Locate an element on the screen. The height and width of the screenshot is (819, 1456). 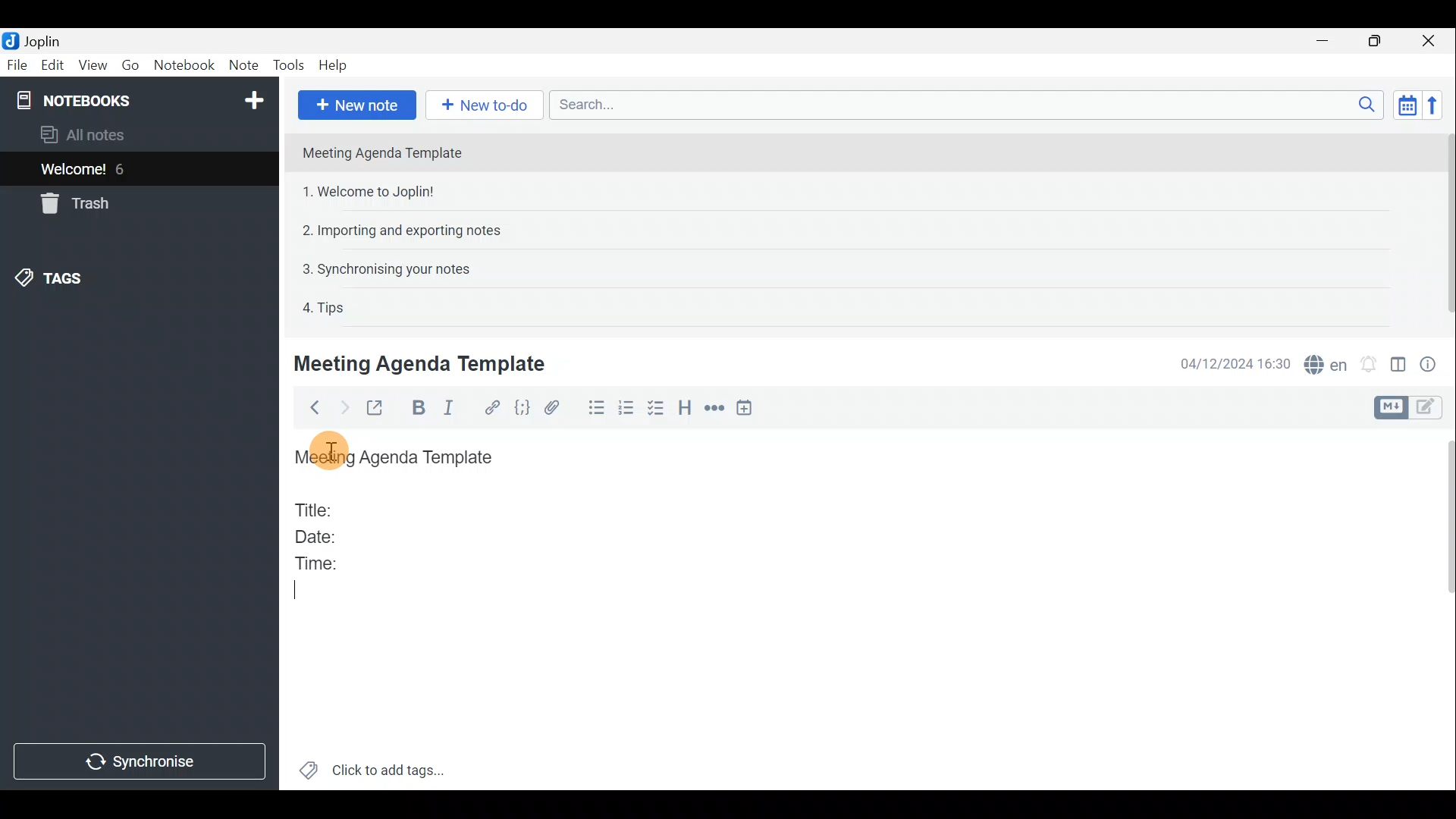
Toggle editors is located at coordinates (1389, 408).